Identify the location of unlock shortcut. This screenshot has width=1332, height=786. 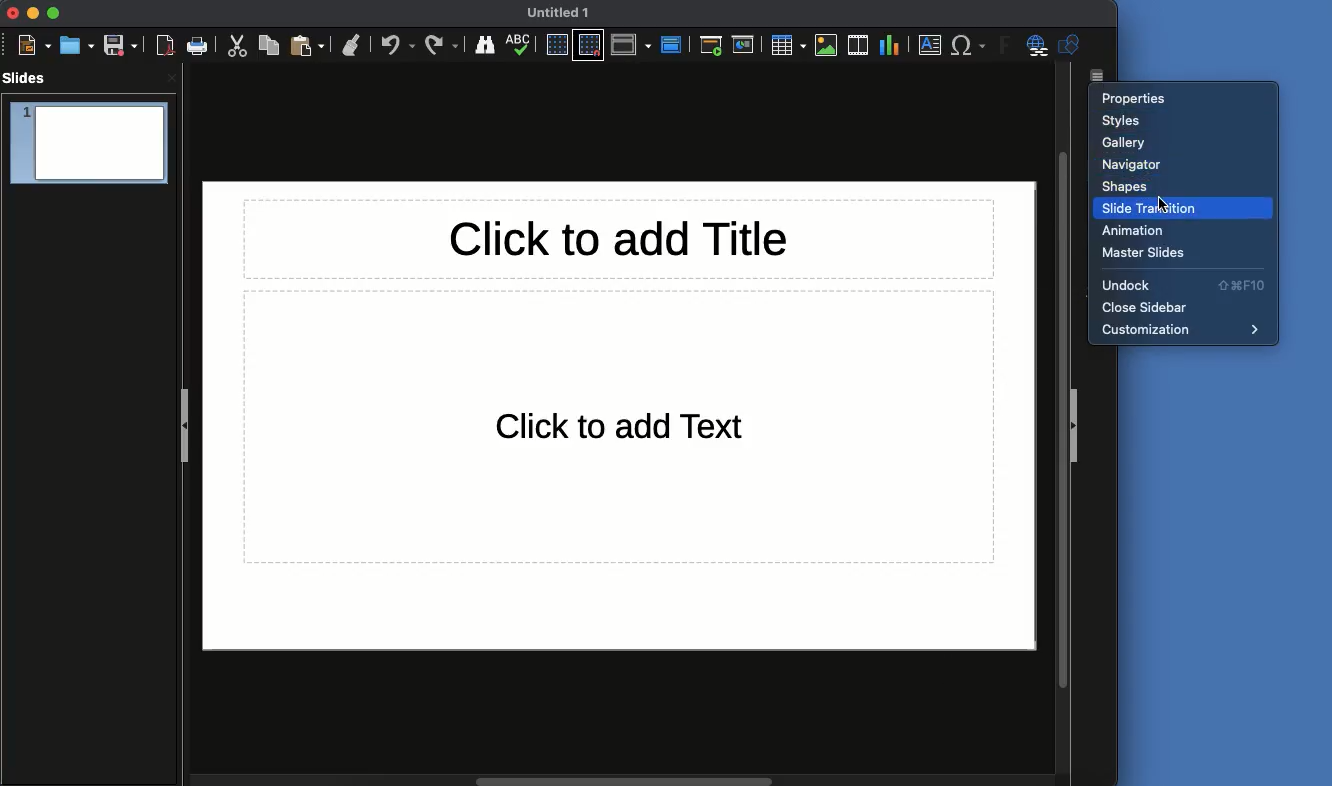
(1247, 285).